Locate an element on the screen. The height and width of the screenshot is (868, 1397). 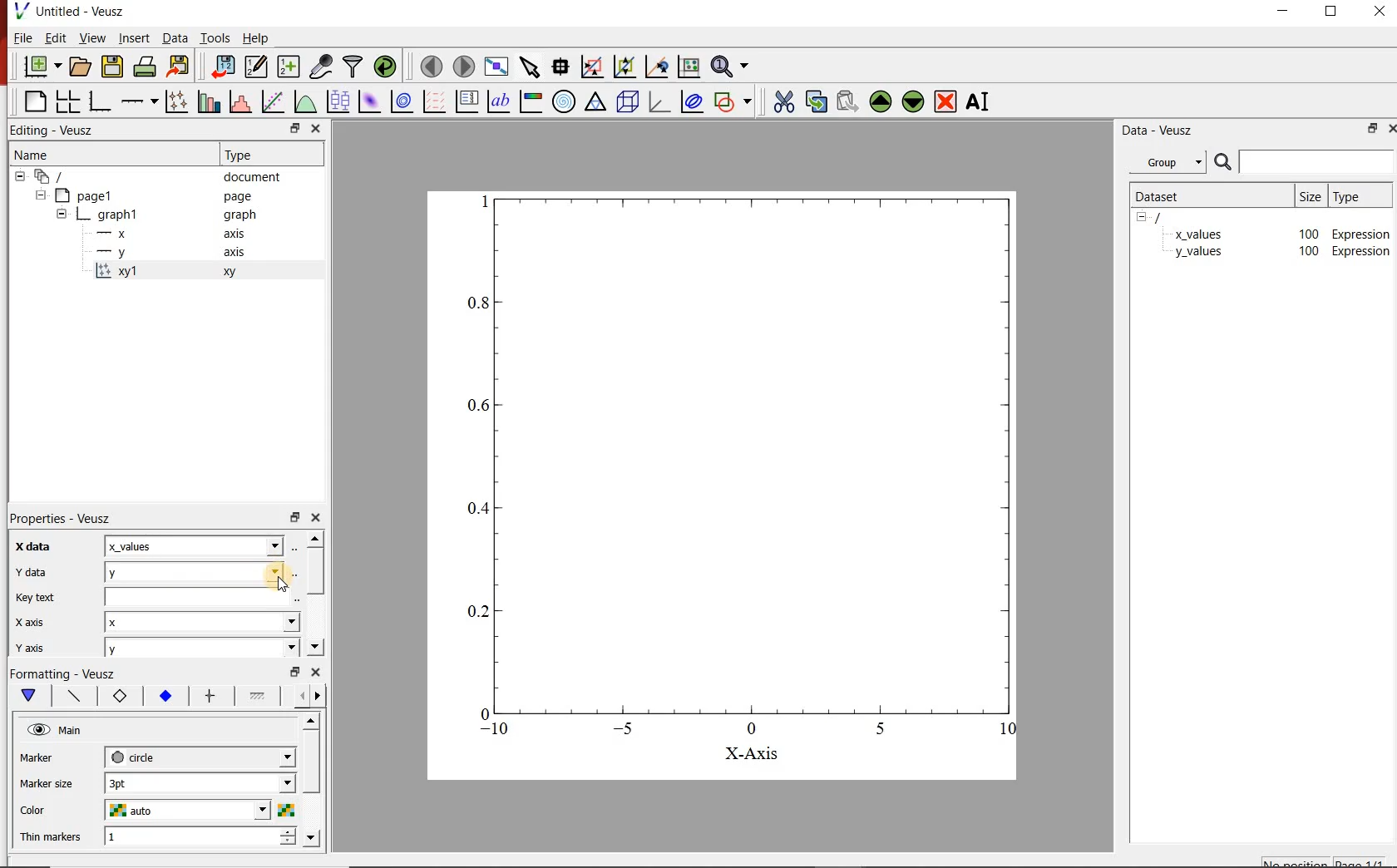
click to reset graph axes is located at coordinates (688, 67).